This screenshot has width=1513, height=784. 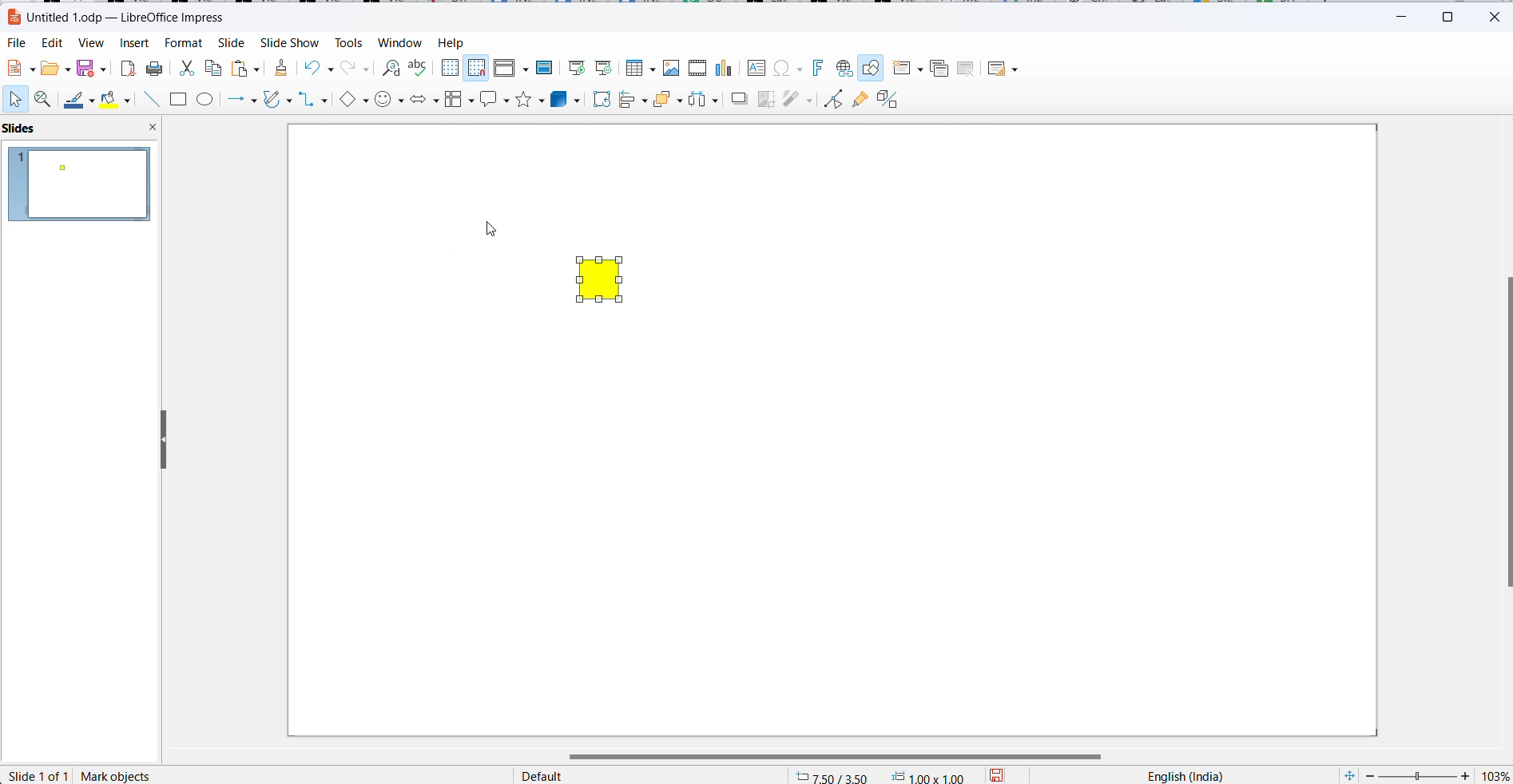 I want to click on align, so click(x=633, y=101).